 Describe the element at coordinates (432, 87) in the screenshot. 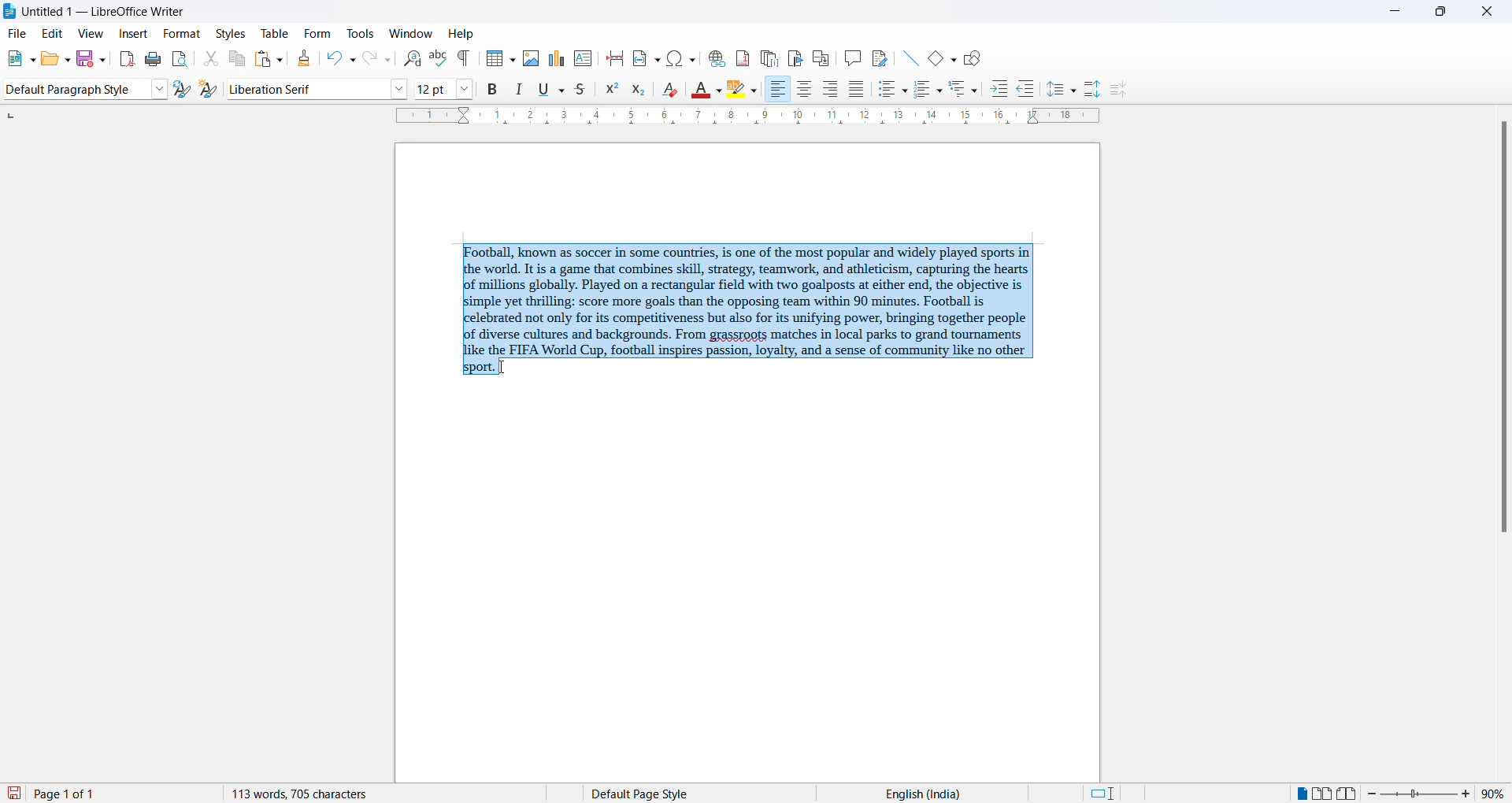

I see `font size` at that location.